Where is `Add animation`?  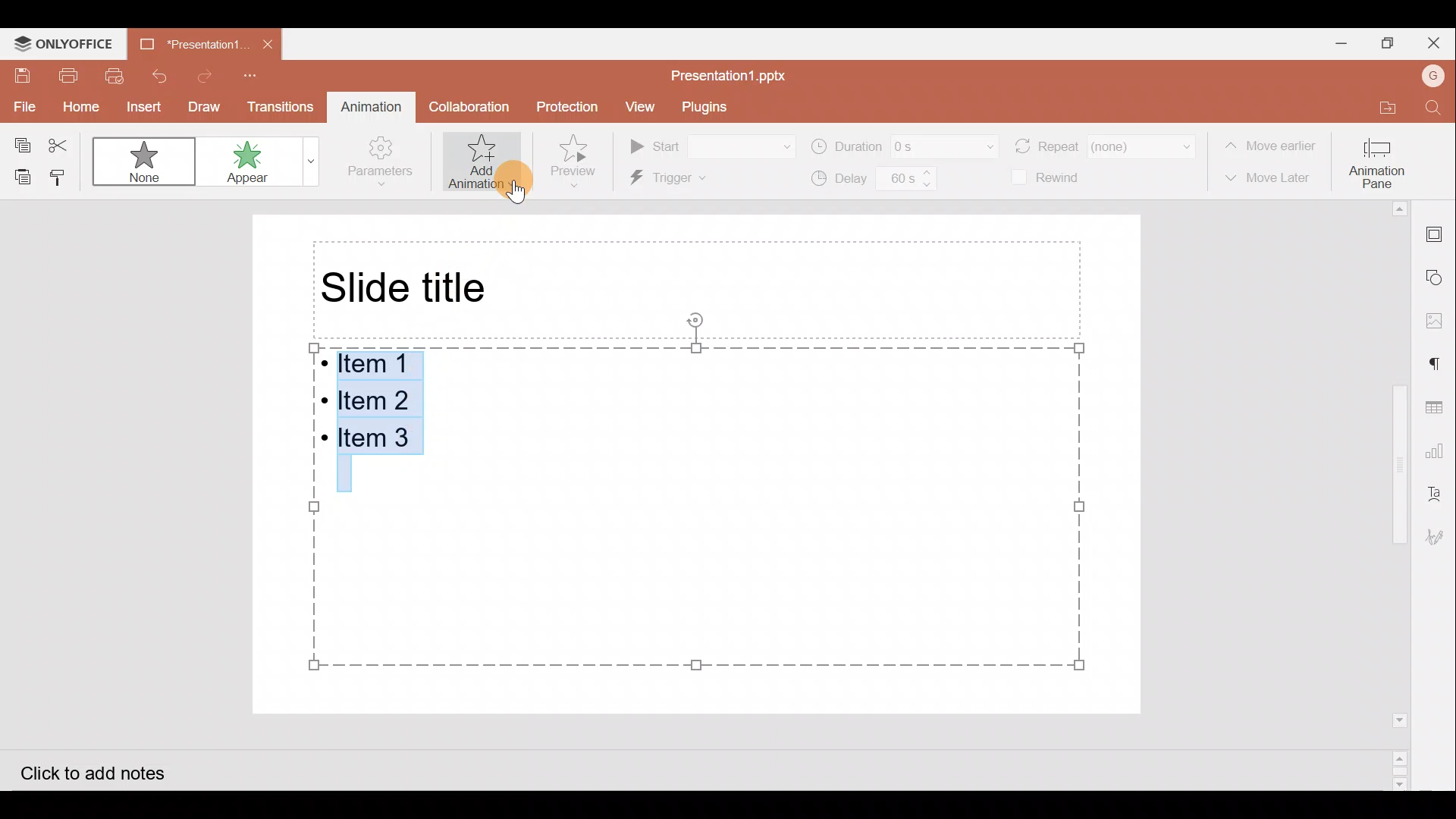 Add animation is located at coordinates (487, 164).